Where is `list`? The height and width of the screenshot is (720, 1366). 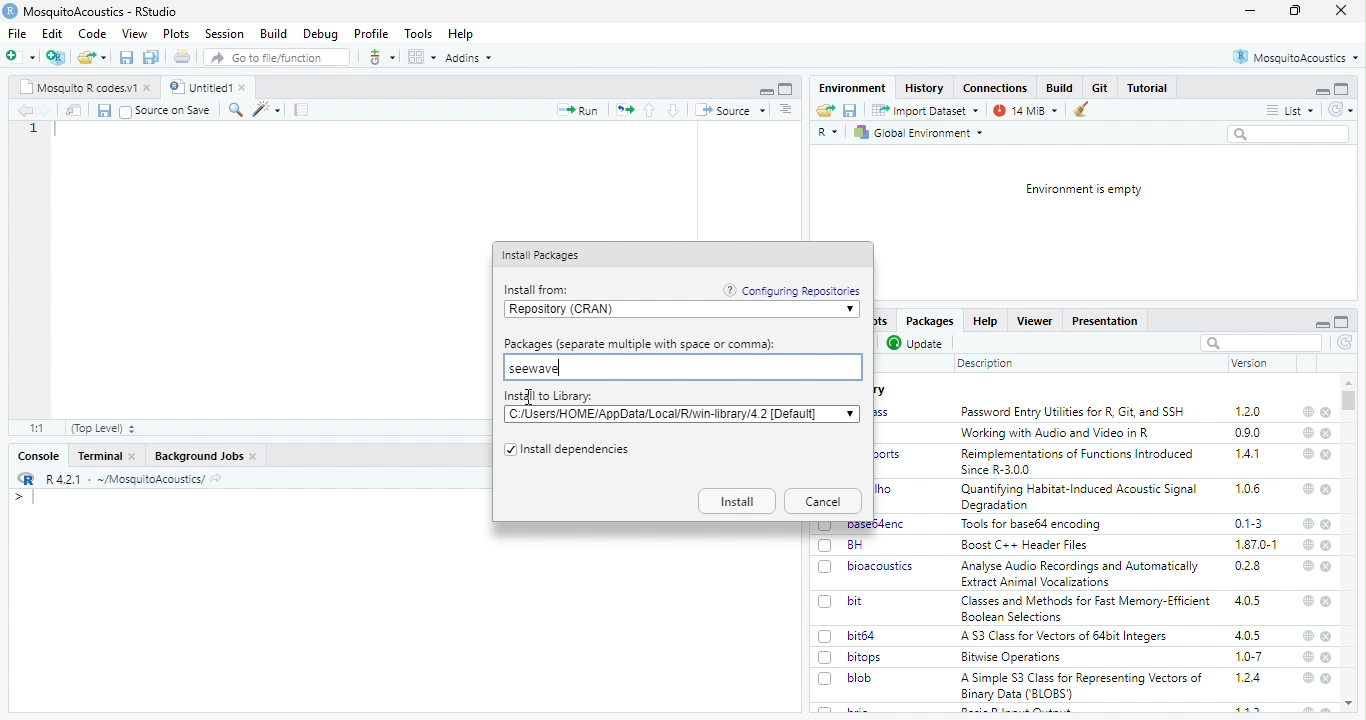
list is located at coordinates (1291, 111).